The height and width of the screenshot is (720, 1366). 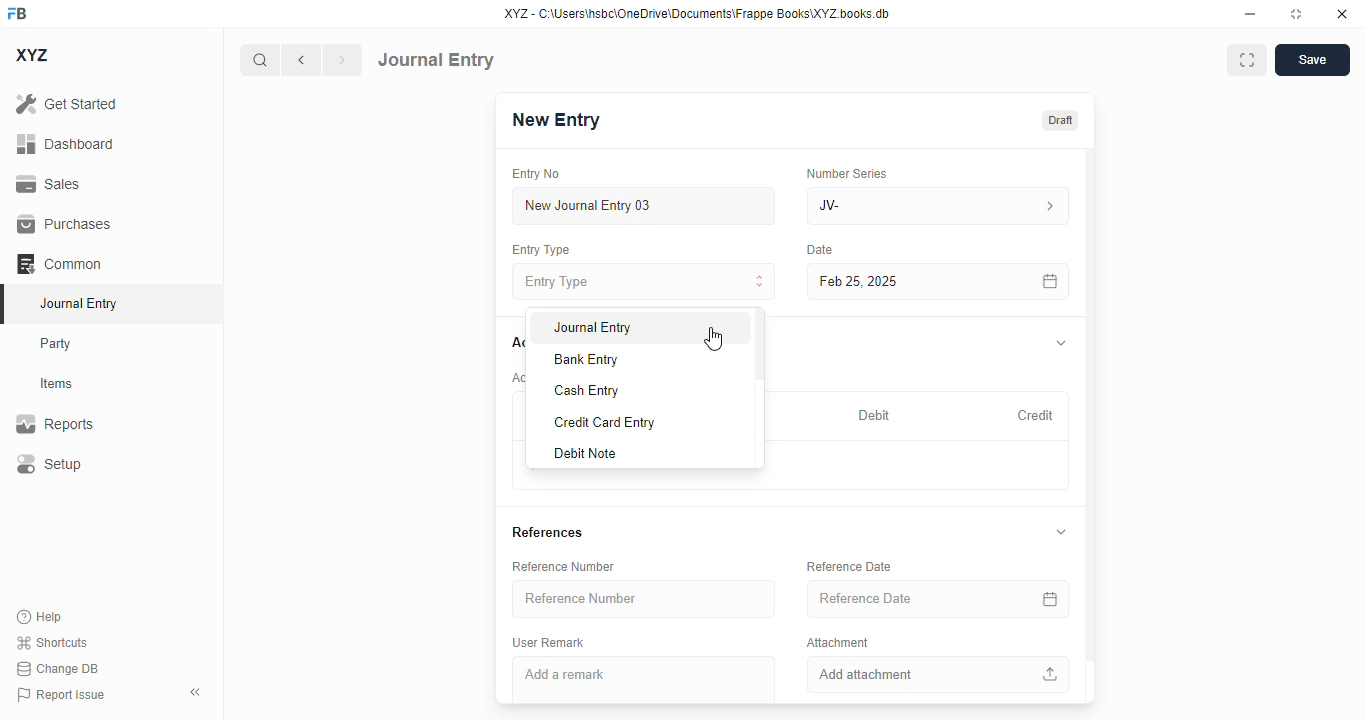 I want to click on accounts, so click(x=516, y=343).